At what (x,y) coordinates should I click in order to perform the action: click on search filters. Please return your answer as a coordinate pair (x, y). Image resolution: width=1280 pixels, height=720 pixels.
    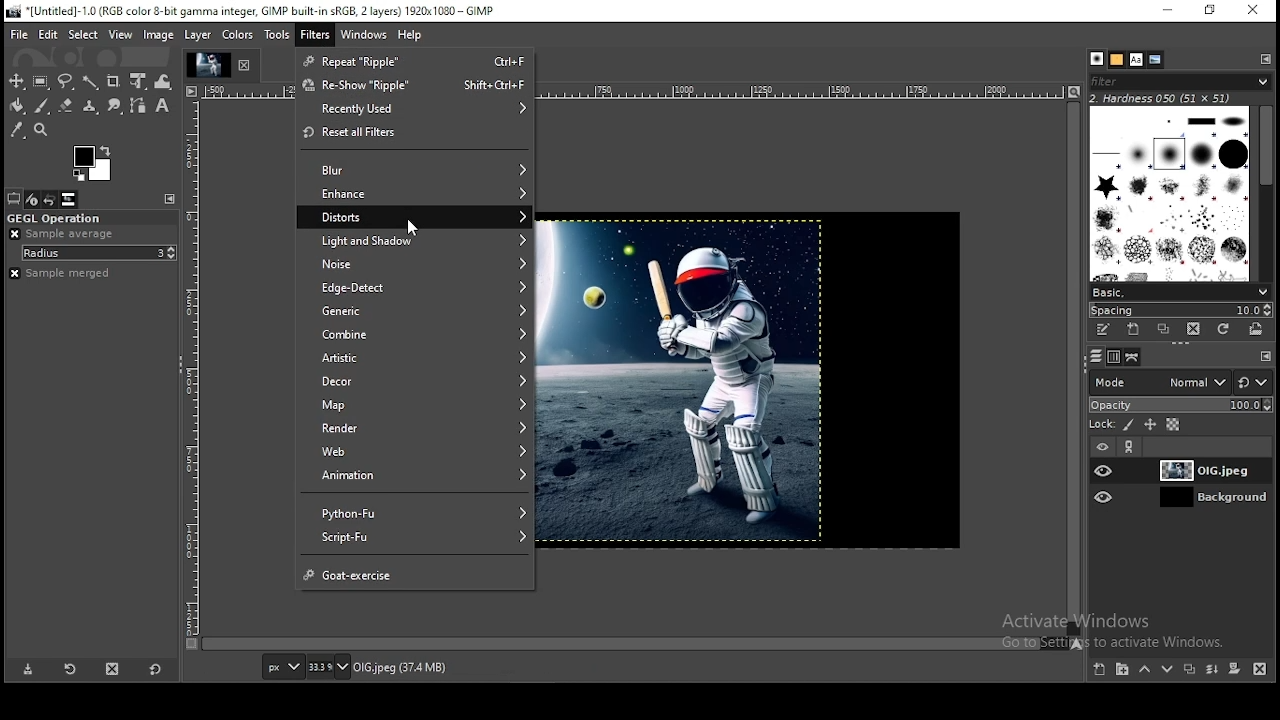
    Looking at the image, I should click on (1181, 80).